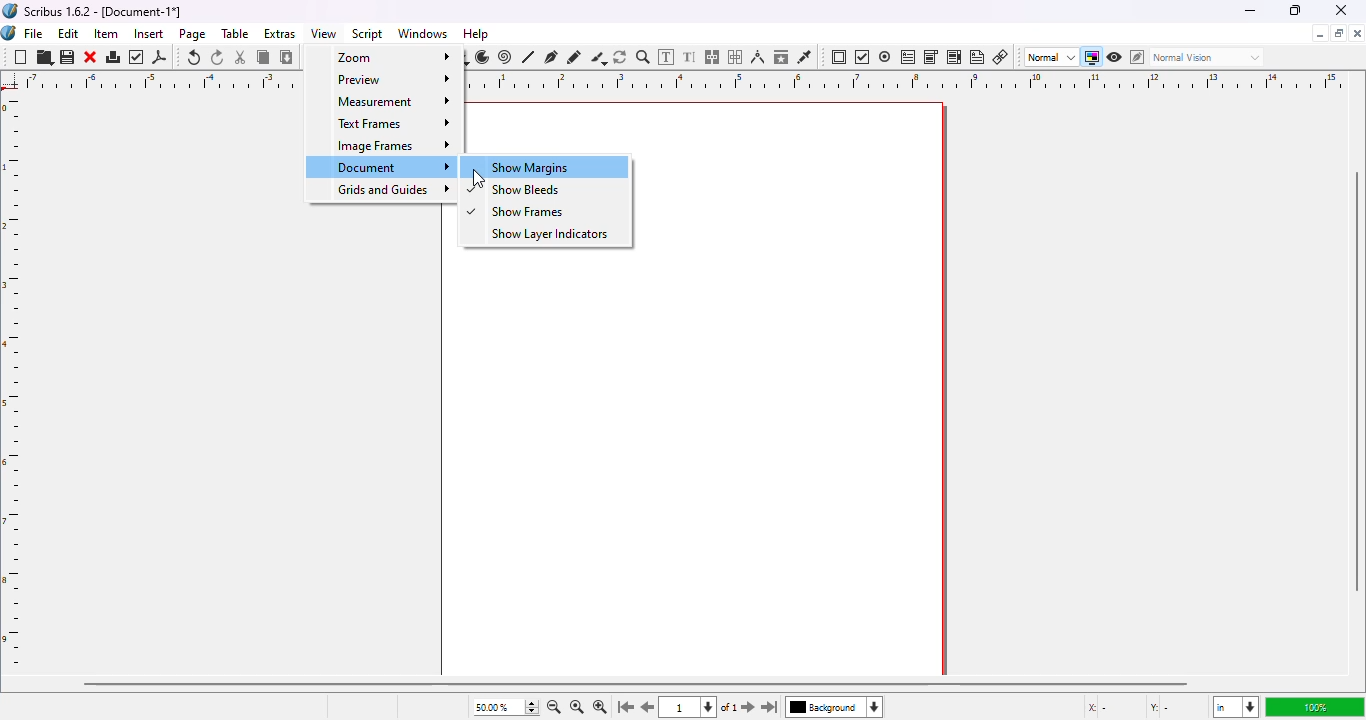 The height and width of the screenshot is (720, 1366). I want to click on minimize, so click(1319, 34).